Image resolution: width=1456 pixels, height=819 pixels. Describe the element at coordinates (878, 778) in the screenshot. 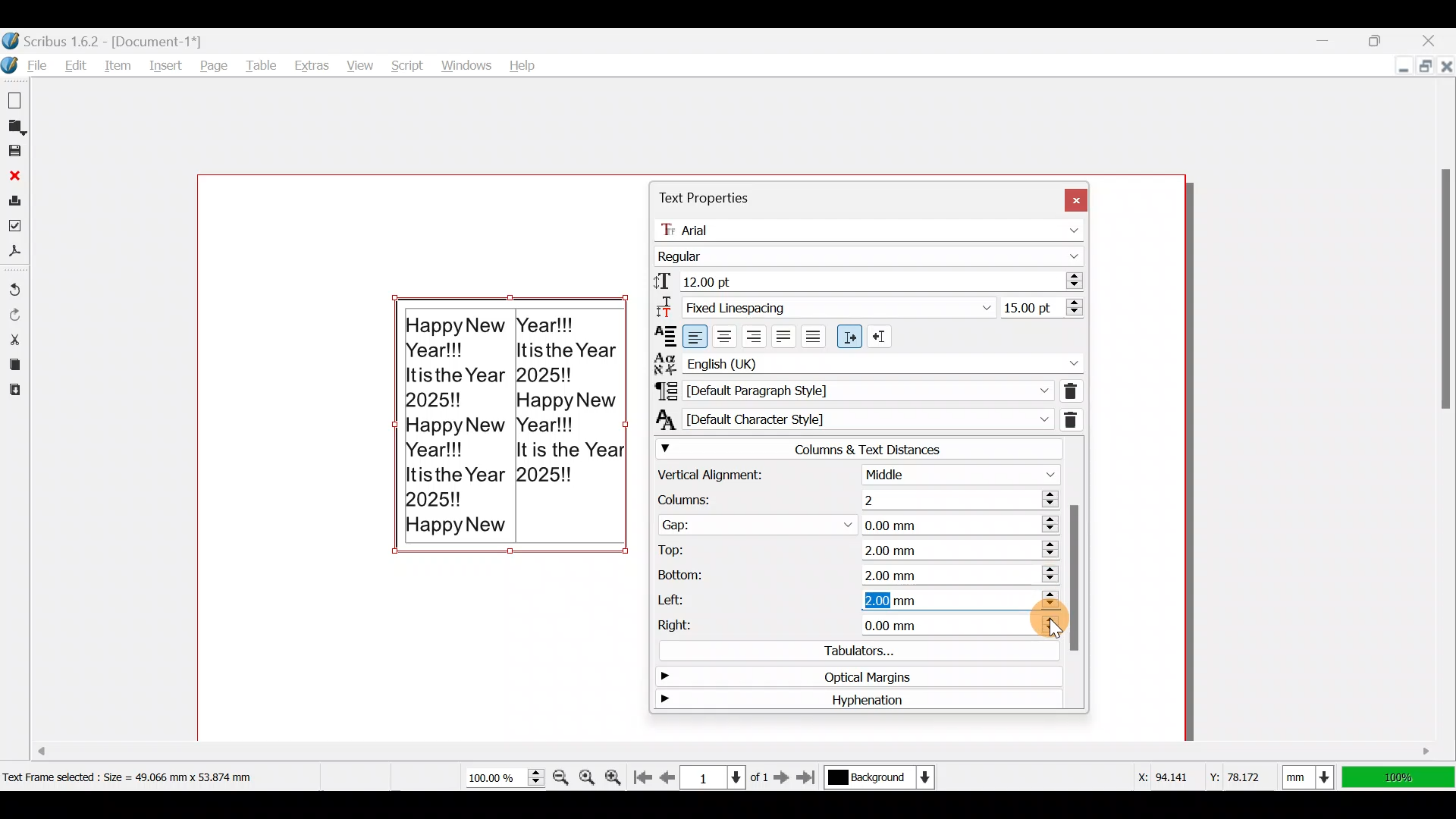

I see `Select current layer` at that location.